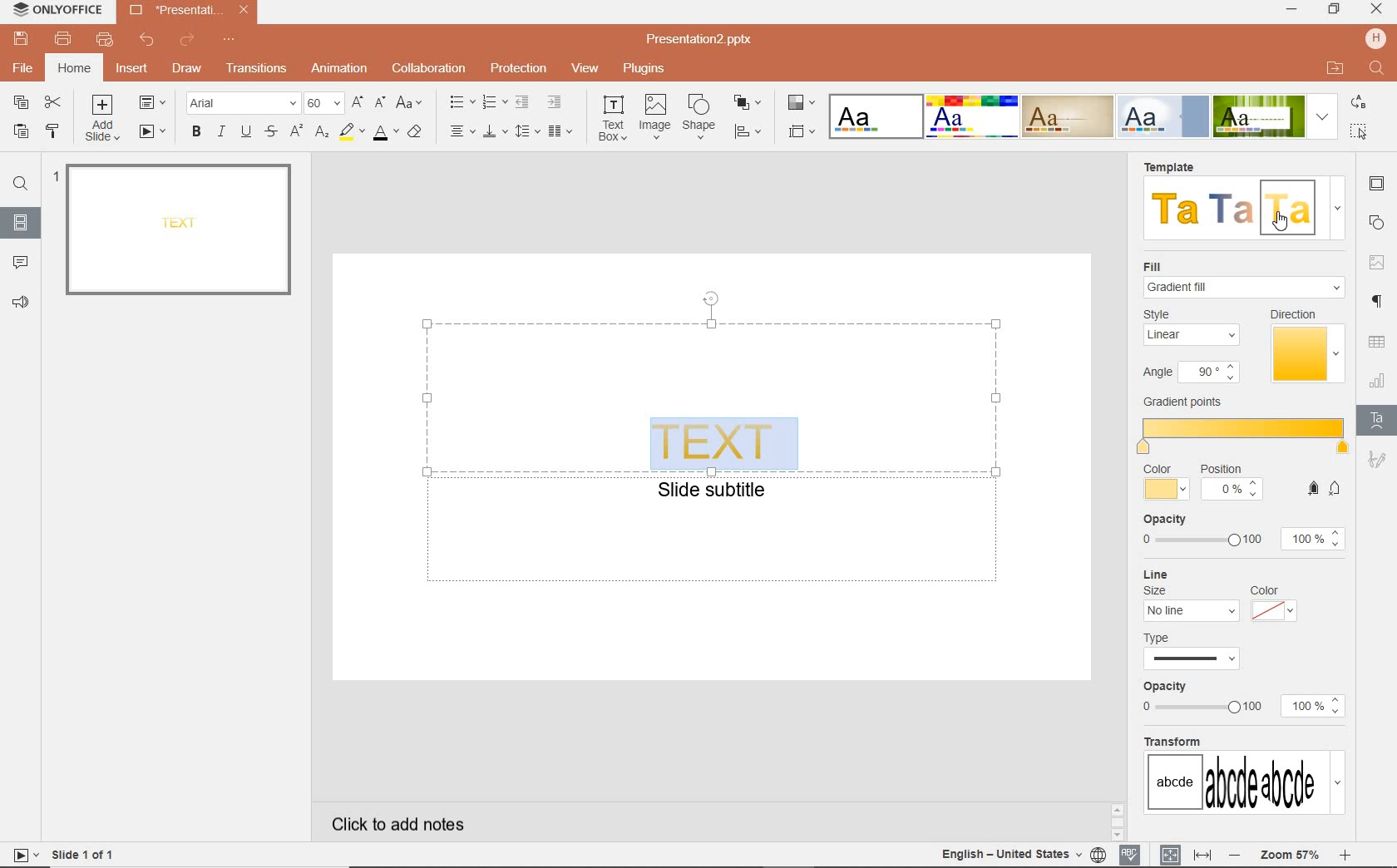 The height and width of the screenshot is (868, 1397). I want to click on CHART SETTINGS, so click(1378, 379).